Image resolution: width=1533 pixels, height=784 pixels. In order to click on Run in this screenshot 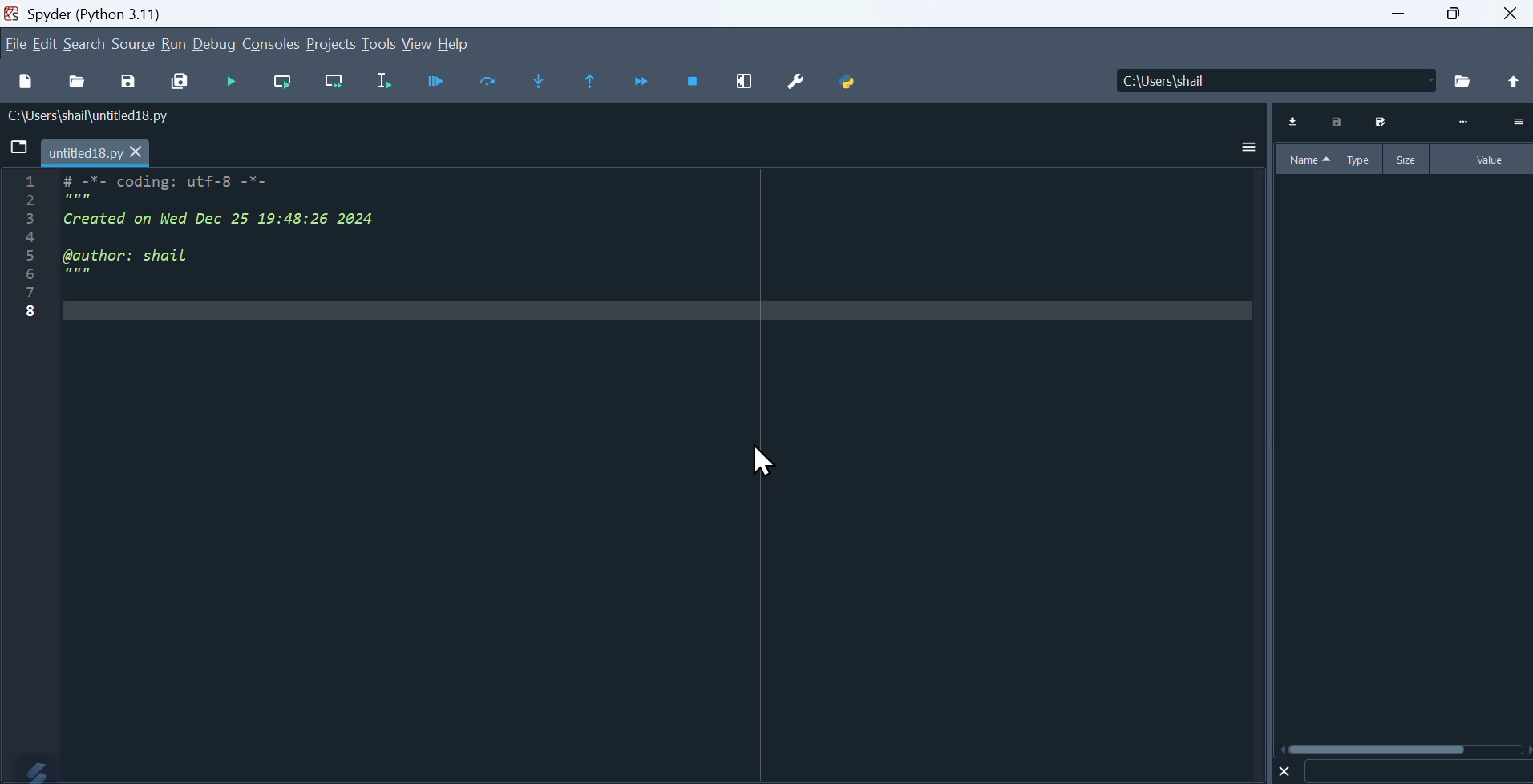, I will do `click(173, 43)`.